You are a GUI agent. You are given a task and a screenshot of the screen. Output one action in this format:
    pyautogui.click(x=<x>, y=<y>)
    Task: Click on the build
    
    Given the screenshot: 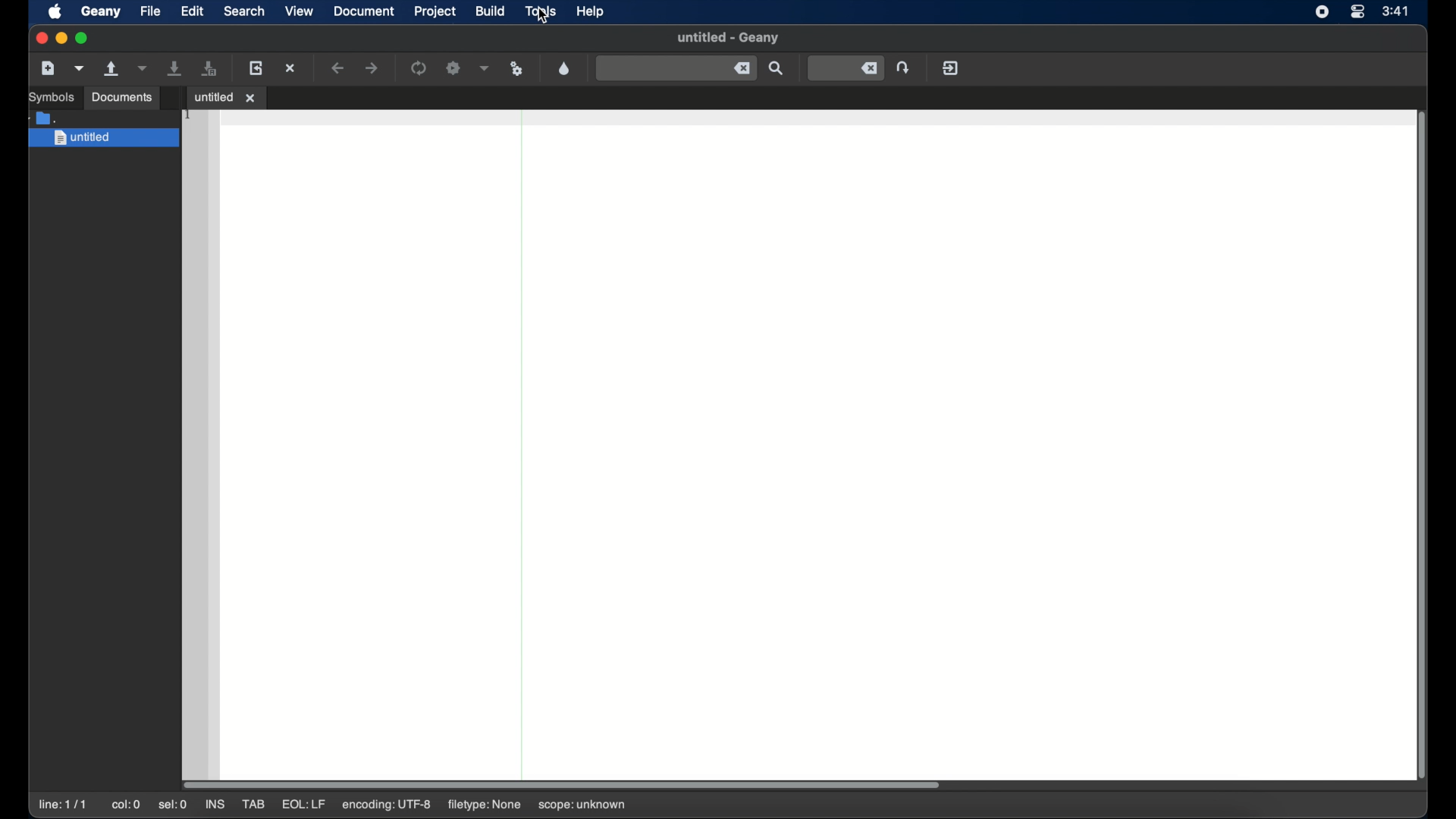 What is the action you would take?
    pyautogui.click(x=491, y=11)
    